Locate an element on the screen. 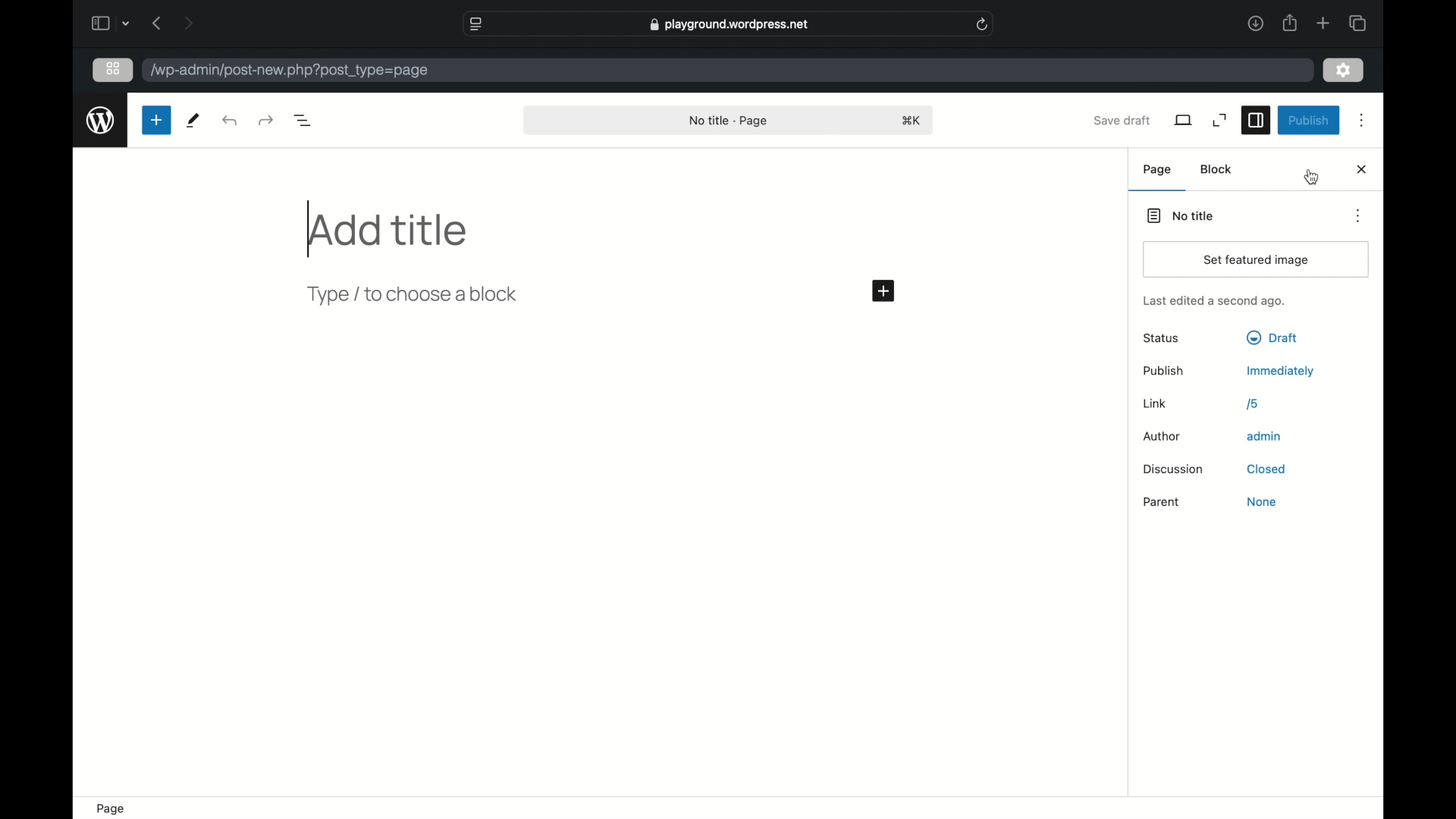 This screenshot has width=1456, height=819. no title - page is located at coordinates (730, 121).